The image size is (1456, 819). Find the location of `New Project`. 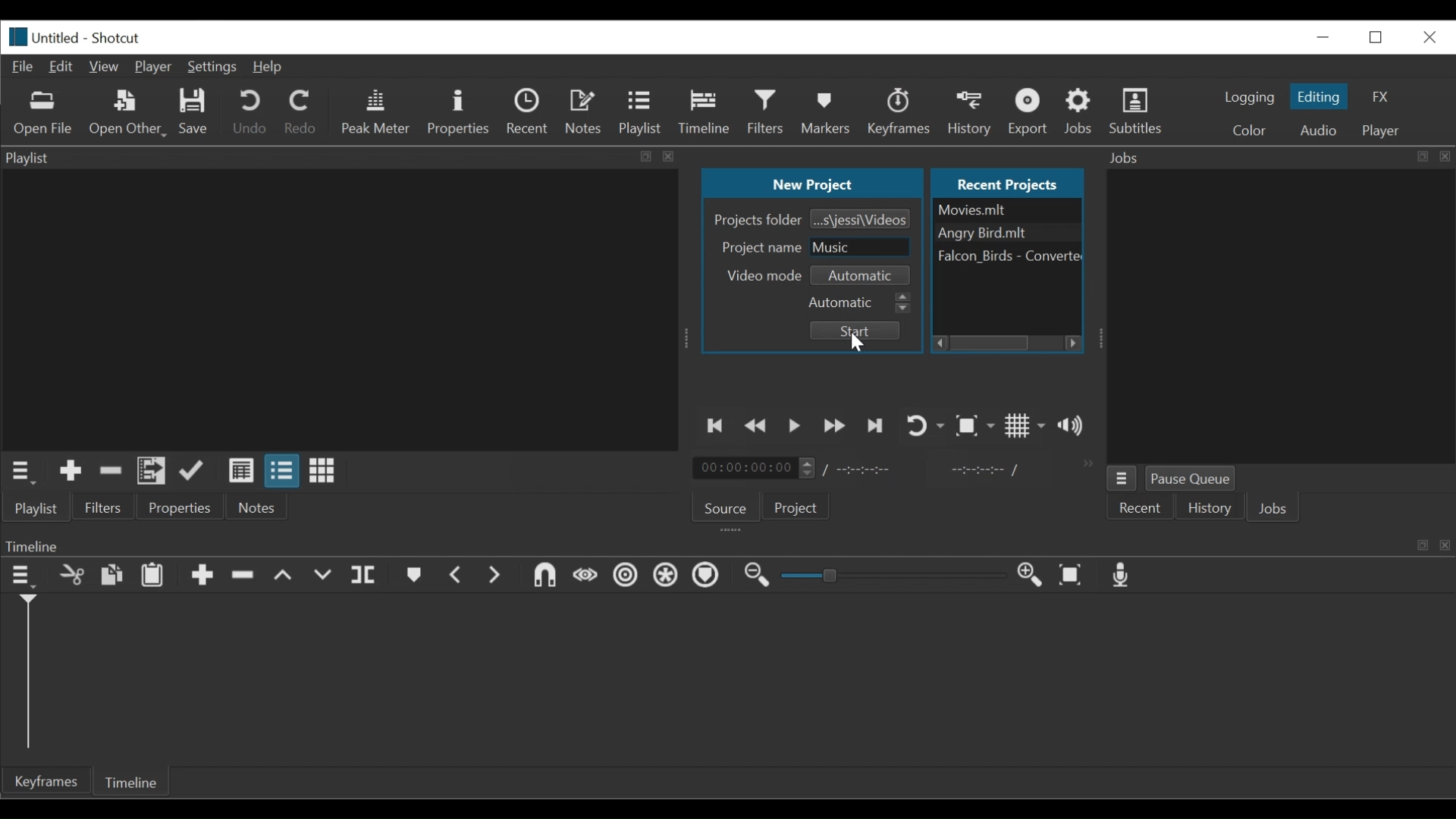

New Project is located at coordinates (815, 182).